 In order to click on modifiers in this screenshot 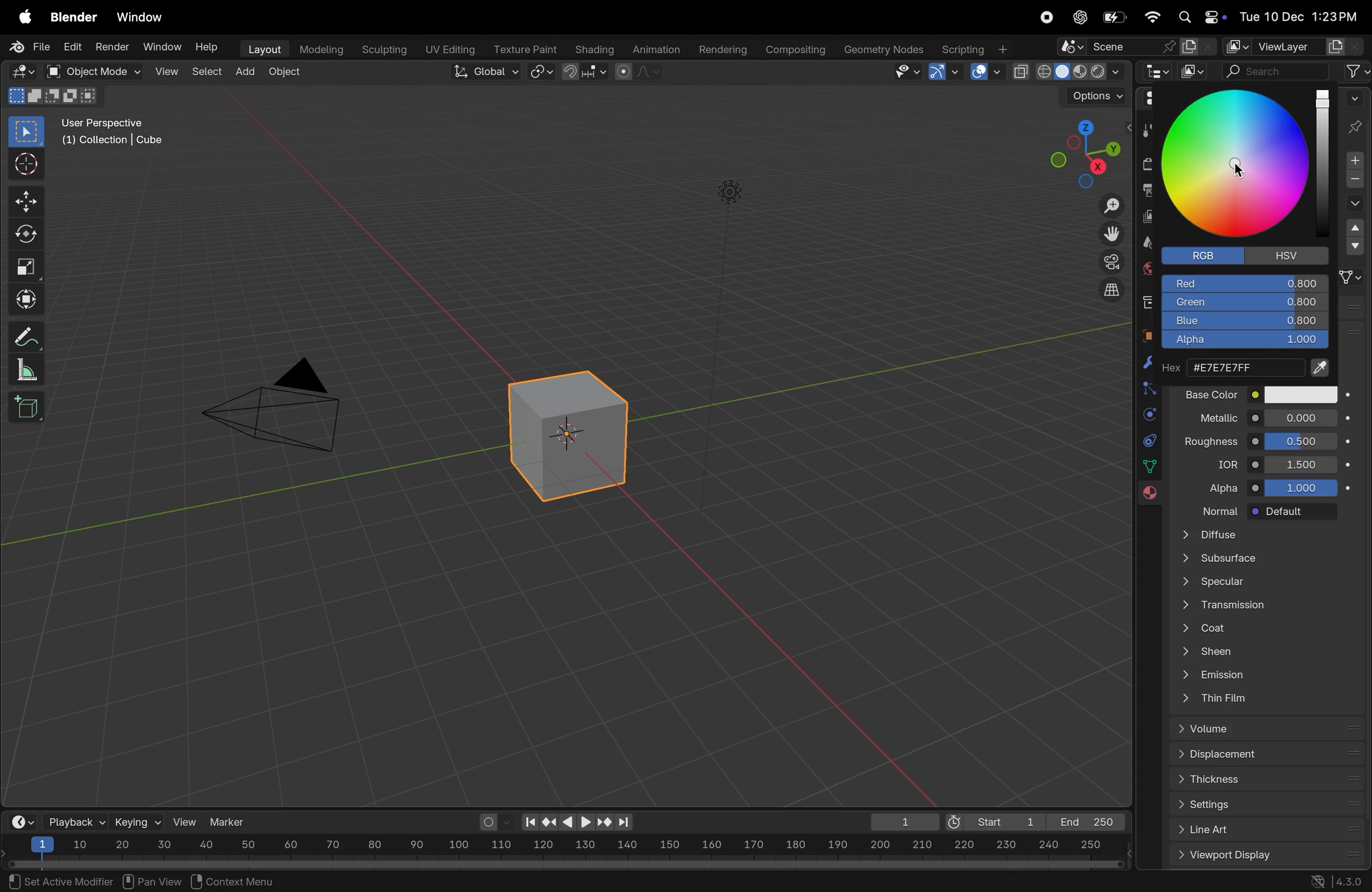, I will do `click(1141, 365)`.